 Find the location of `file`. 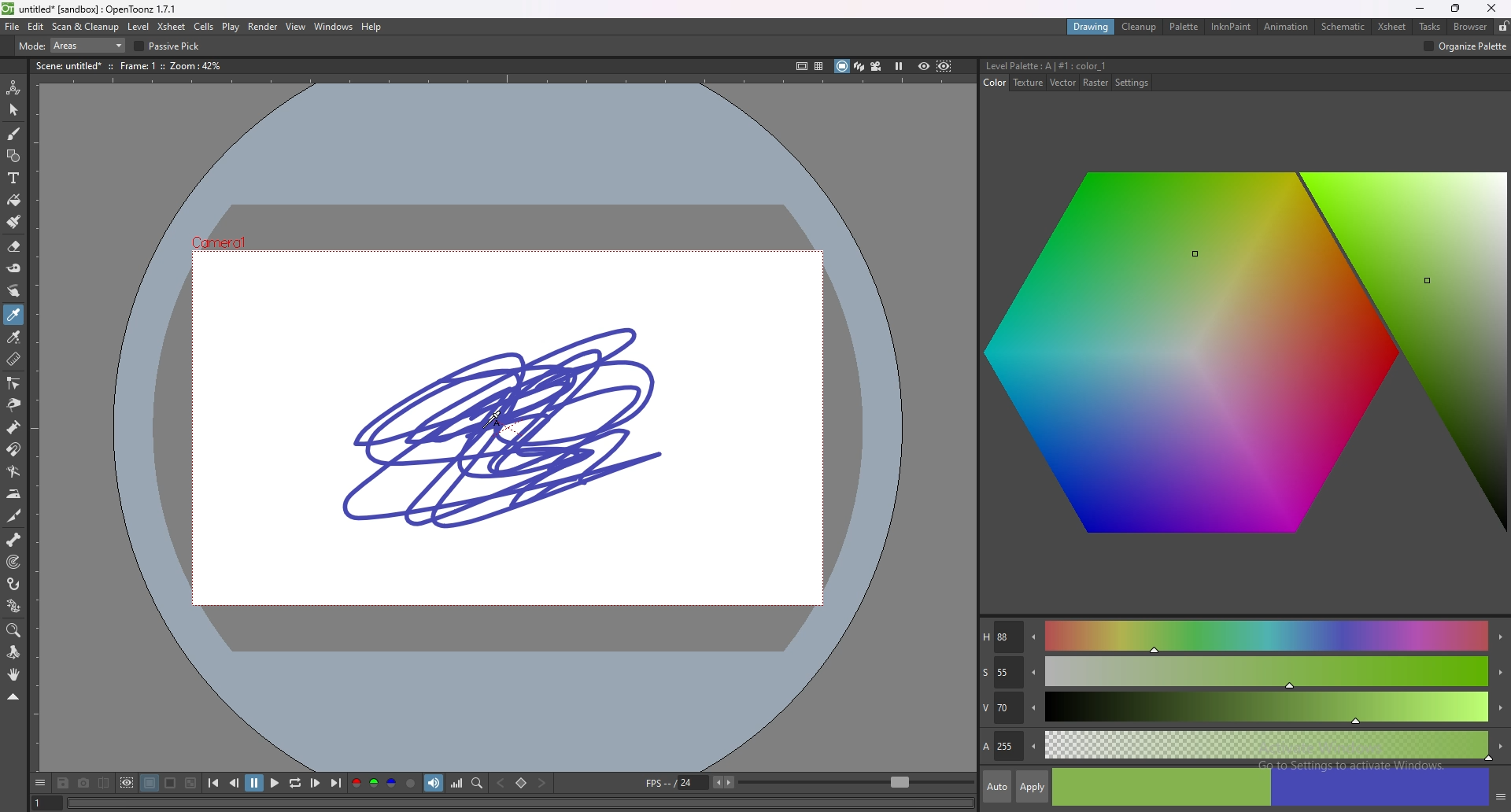

file is located at coordinates (13, 27).